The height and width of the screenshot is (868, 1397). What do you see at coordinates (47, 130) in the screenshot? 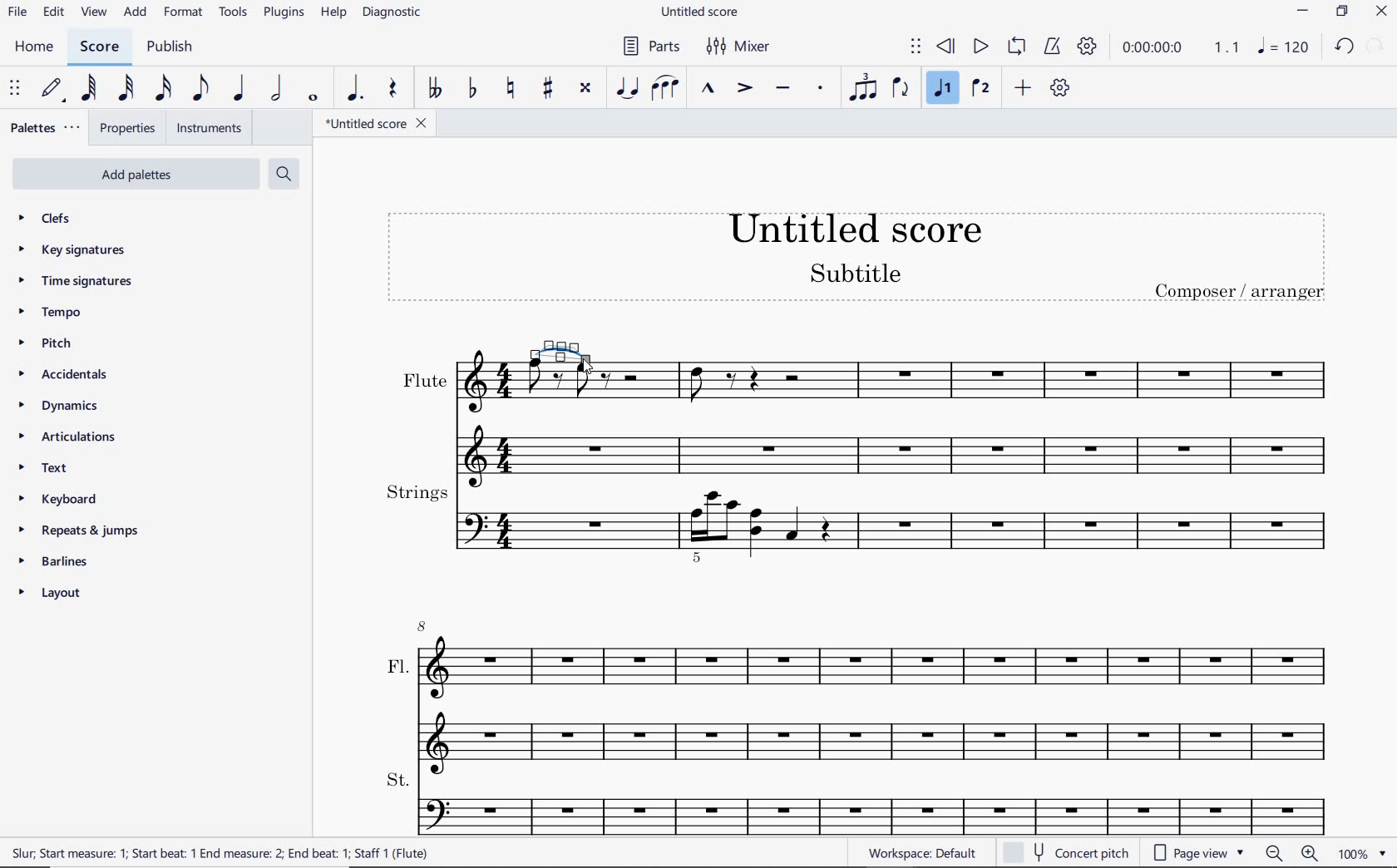
I see `PALETTES` at bounding box center [47, 130].